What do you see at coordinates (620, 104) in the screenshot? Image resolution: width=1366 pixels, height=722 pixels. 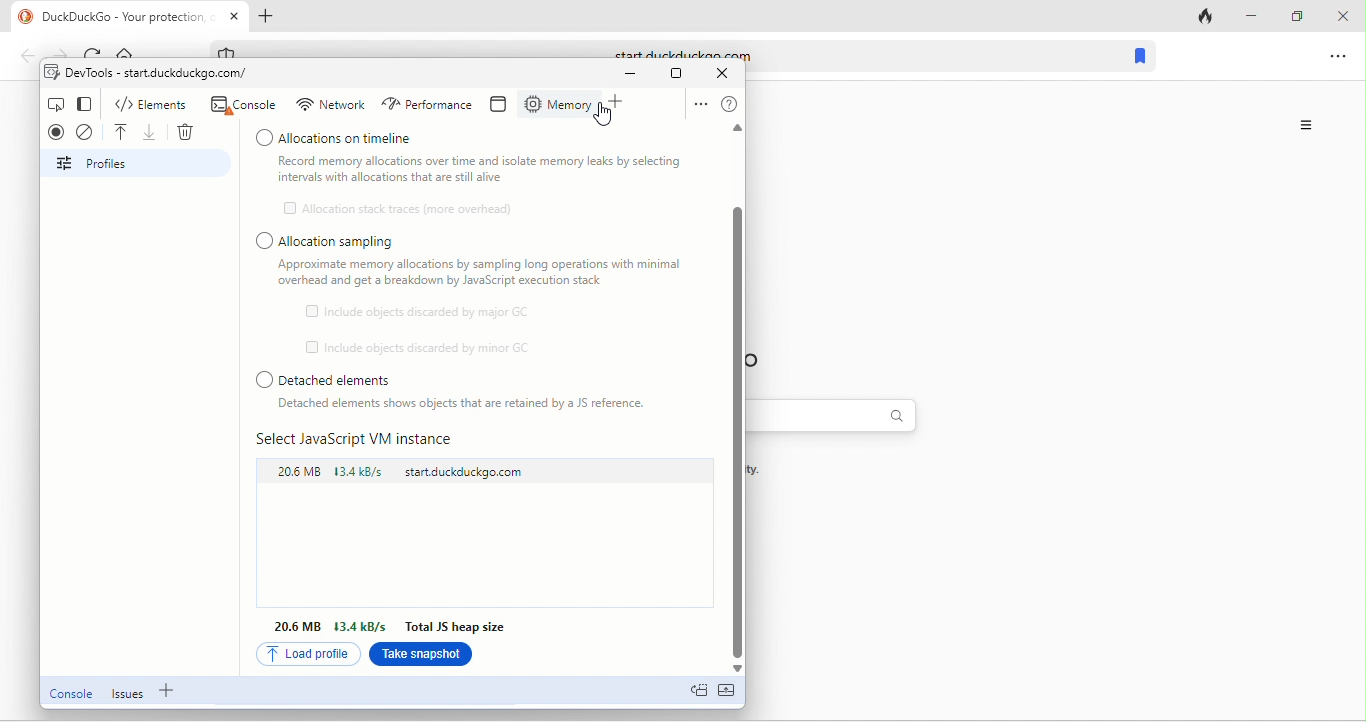 I see `add` at bounding box center [620, 104].